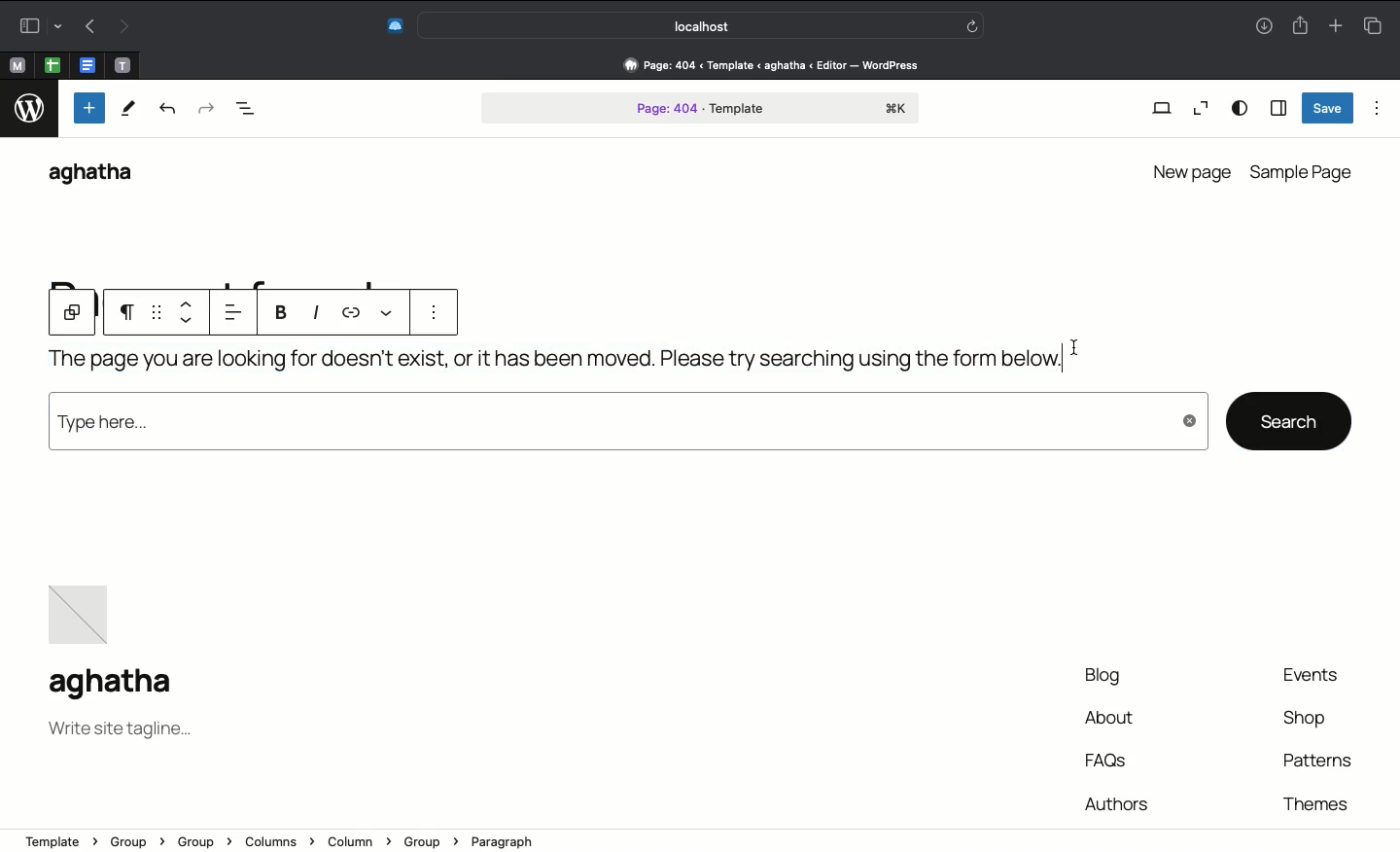 Image resolution: width=1400 pixels, height=852 pixels. I want to click on Address, so click(761, 65).